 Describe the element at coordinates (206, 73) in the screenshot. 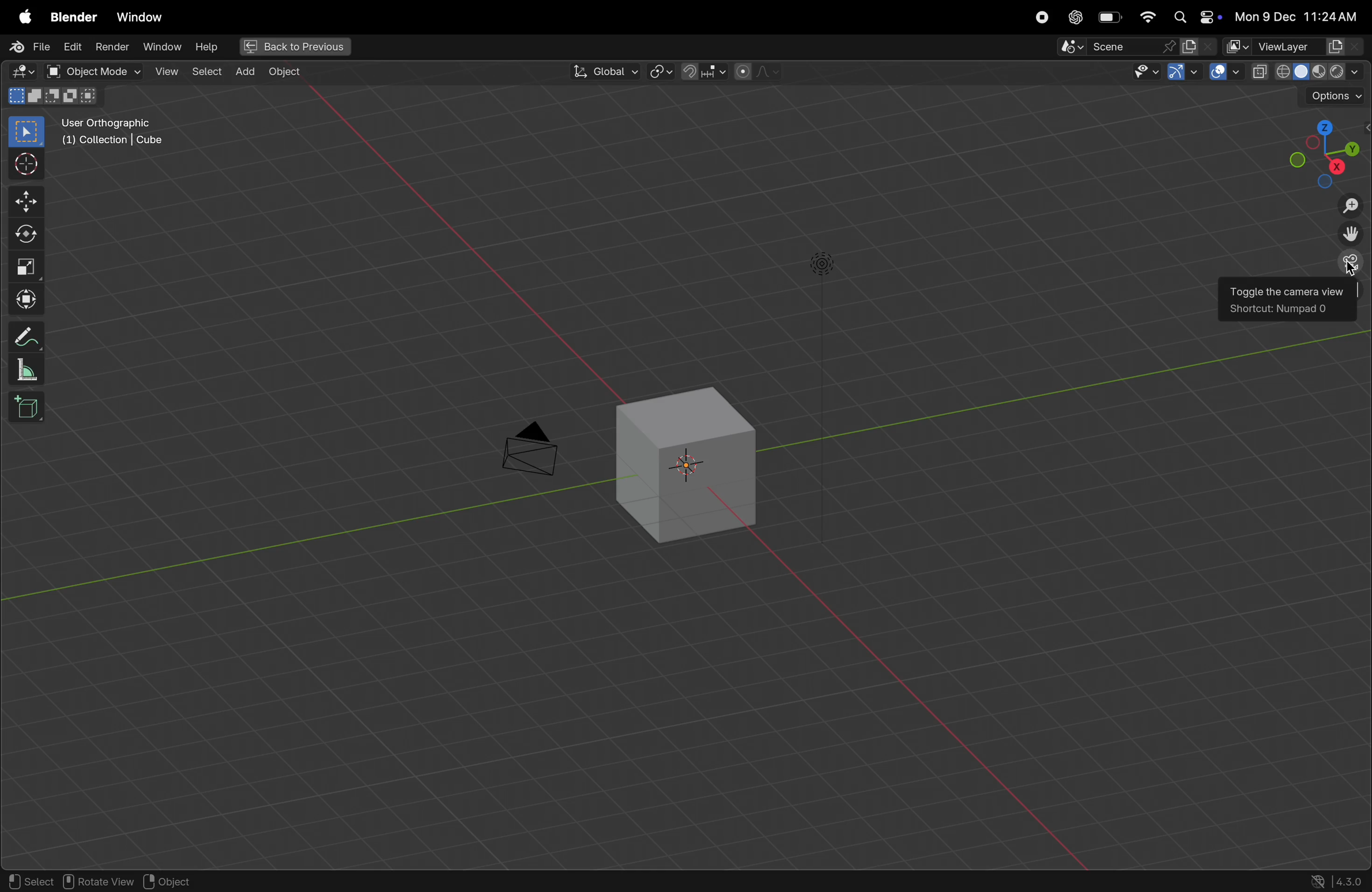

I see `select` at that location.